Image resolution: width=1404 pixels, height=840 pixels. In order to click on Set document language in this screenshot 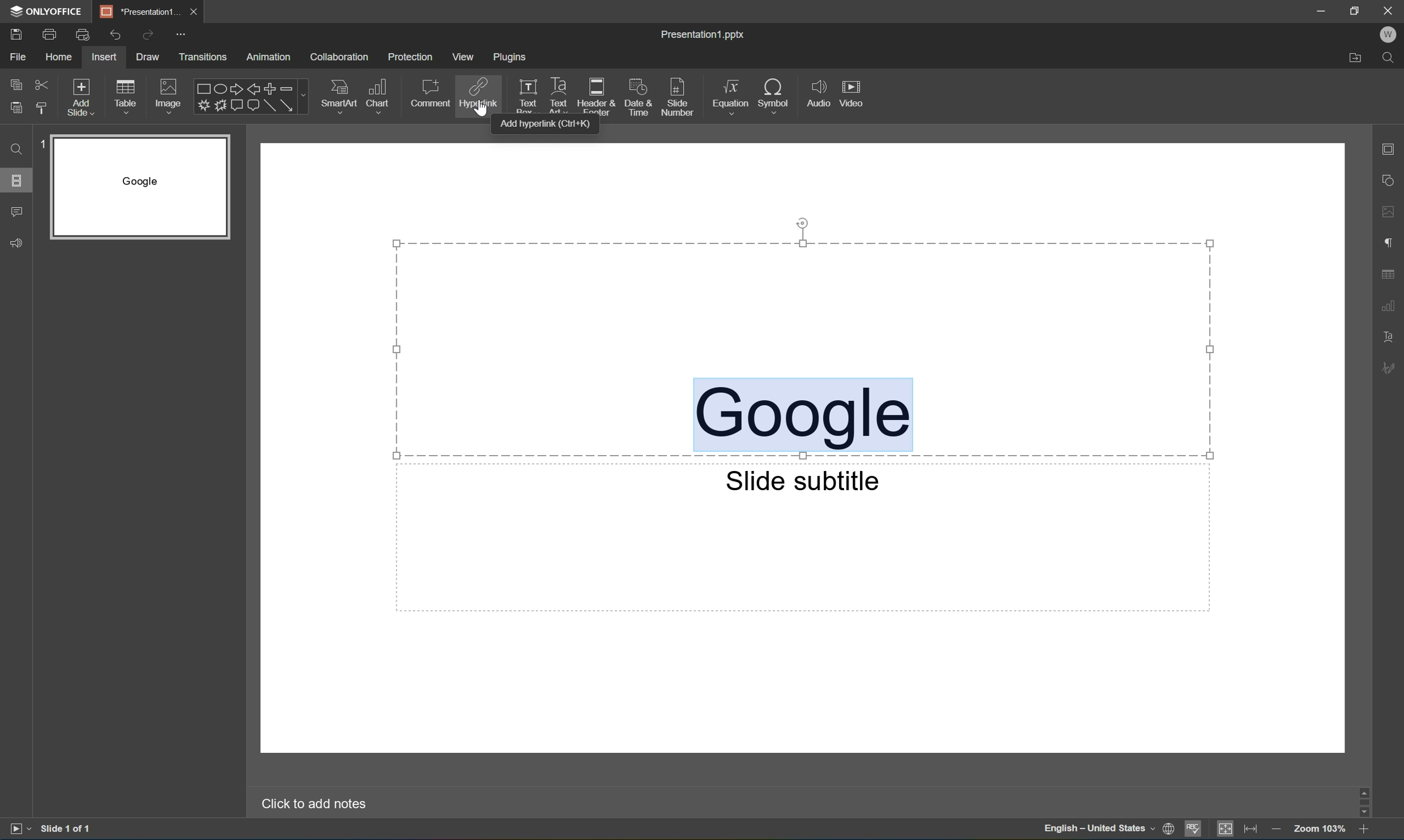, I will do `click(1169, 829)`.